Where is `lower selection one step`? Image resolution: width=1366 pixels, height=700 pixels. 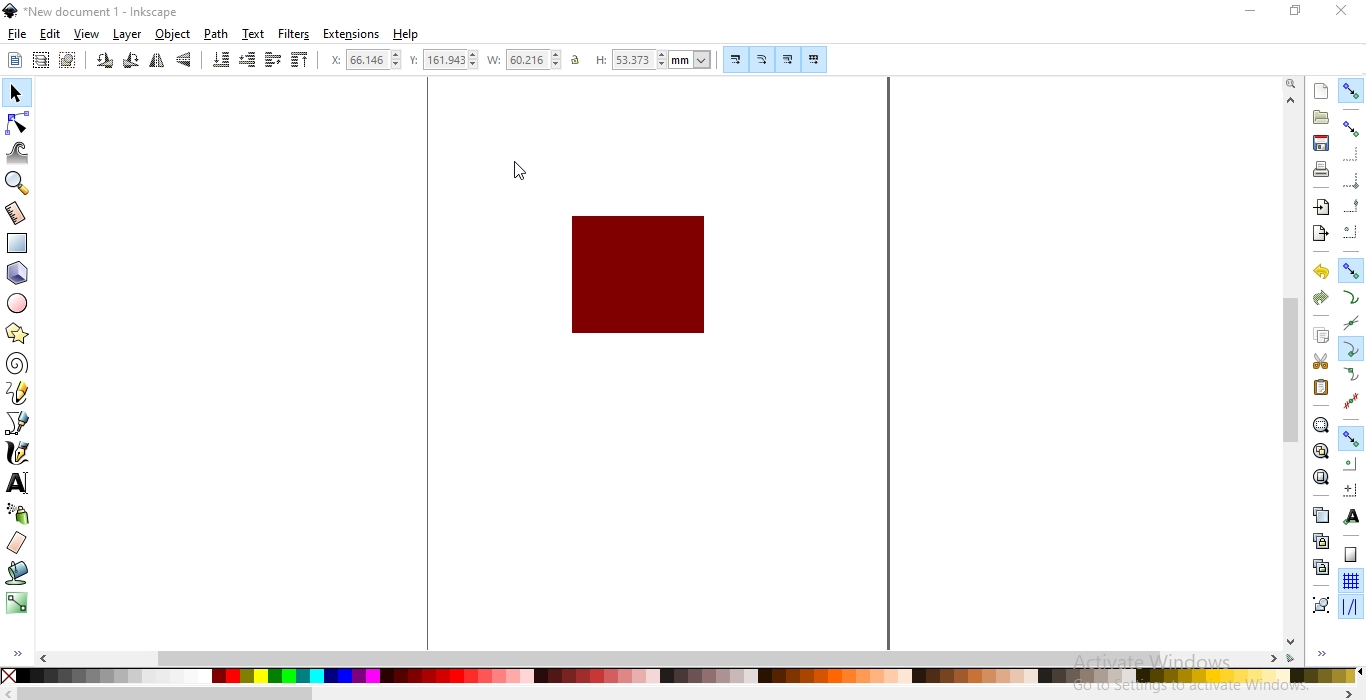
lower selection one step is located at coordinates (247, 61).